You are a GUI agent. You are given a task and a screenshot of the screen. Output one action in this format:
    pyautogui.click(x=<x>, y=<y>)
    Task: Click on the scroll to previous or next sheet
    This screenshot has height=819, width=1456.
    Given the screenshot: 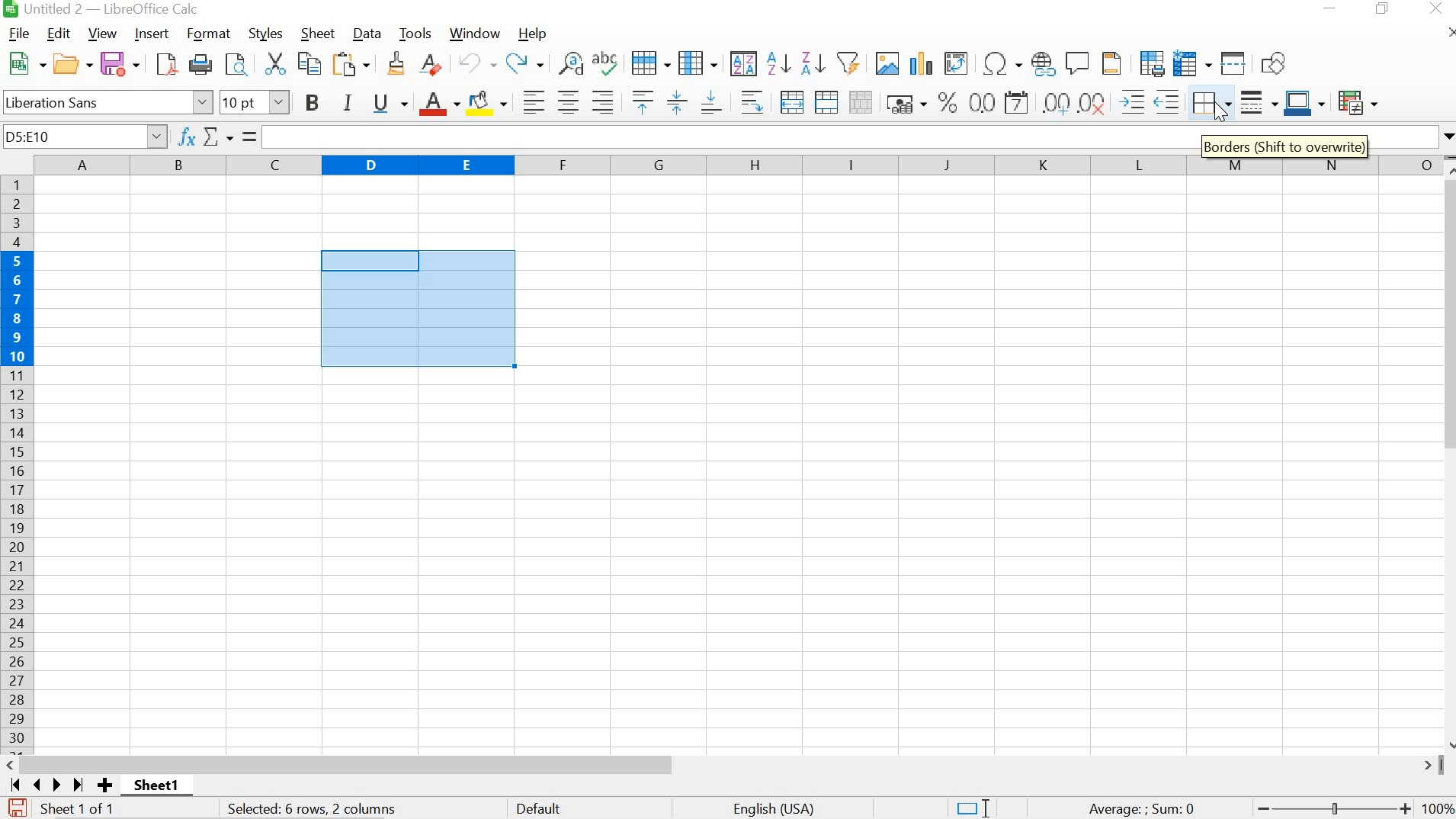 What is the action you would take?
    pyautogui.click(x=46, y=785)
    